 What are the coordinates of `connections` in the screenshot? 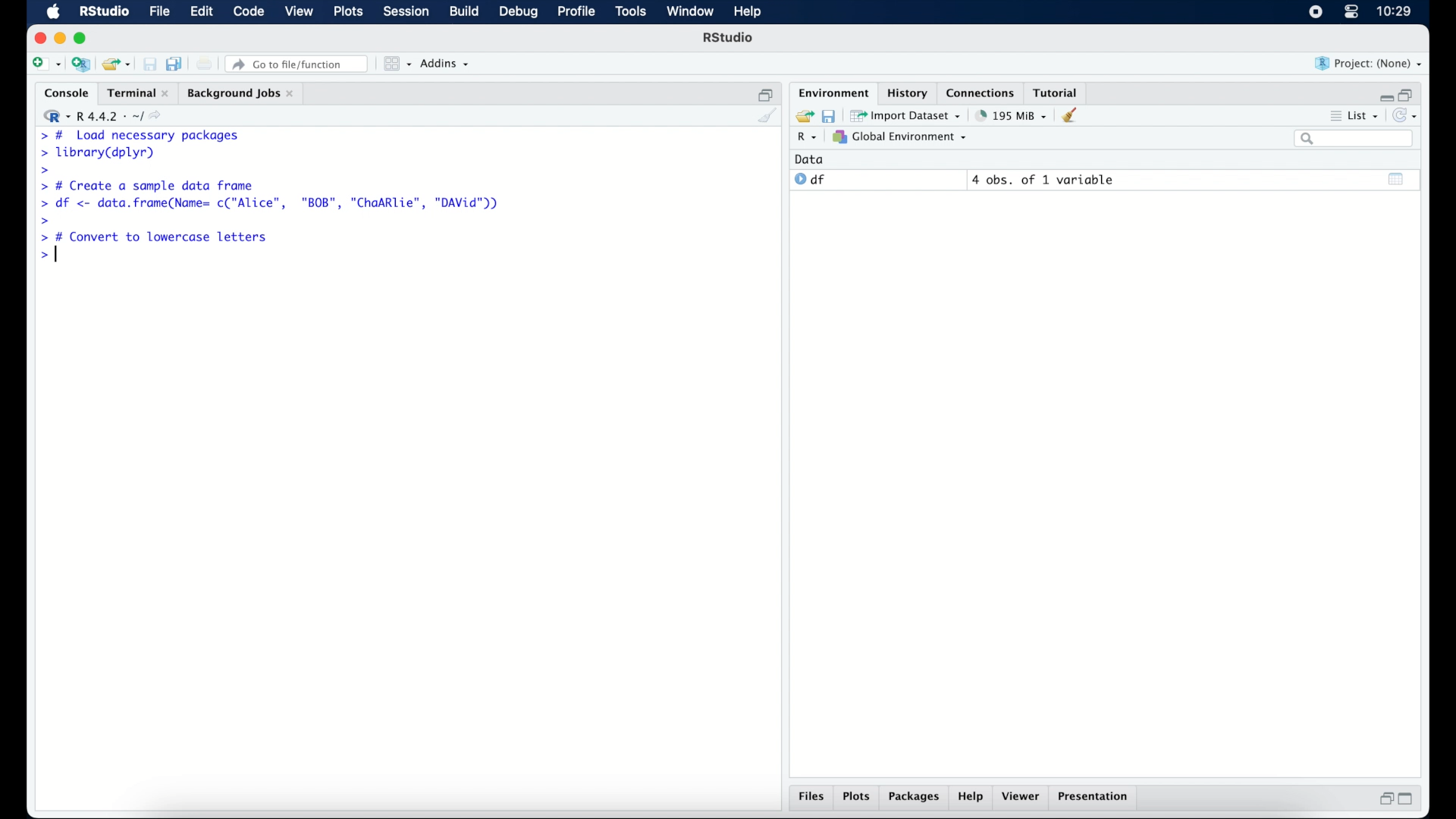 It's located at (982, 92).